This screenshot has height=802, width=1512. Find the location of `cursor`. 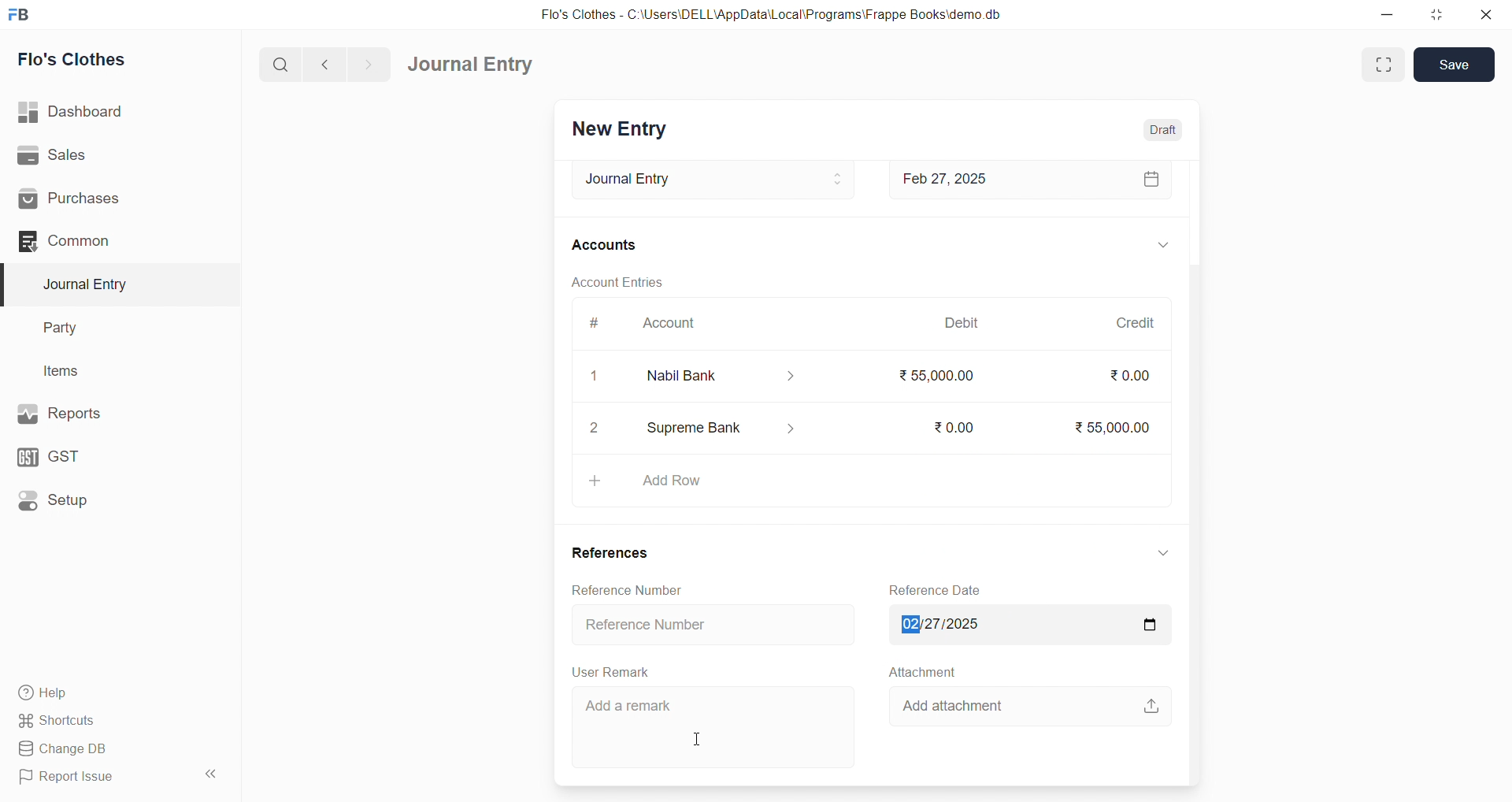

cursor is located at coordinates (698, 738).